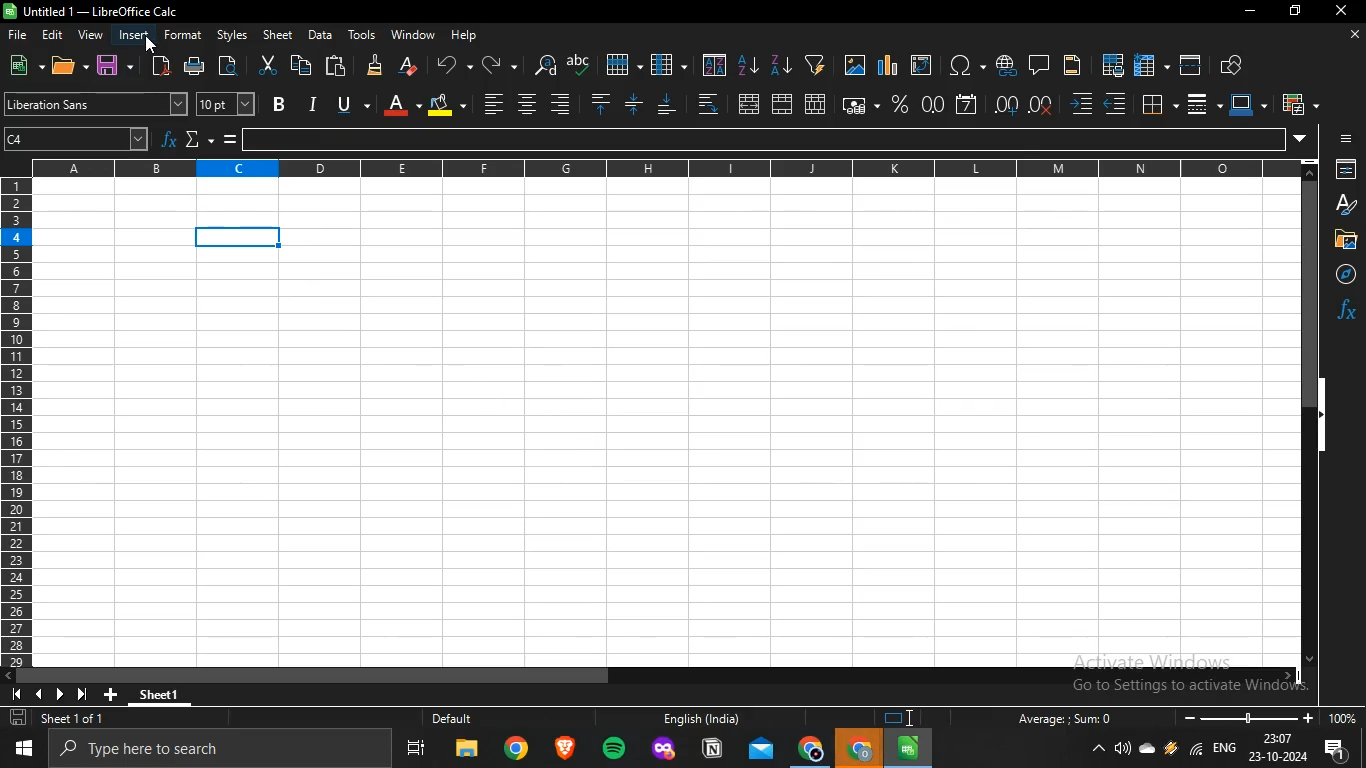 The width and height of the screenshot is (1366, 768). I want to click on Average: : Sum: 0, so click(1057, 718).